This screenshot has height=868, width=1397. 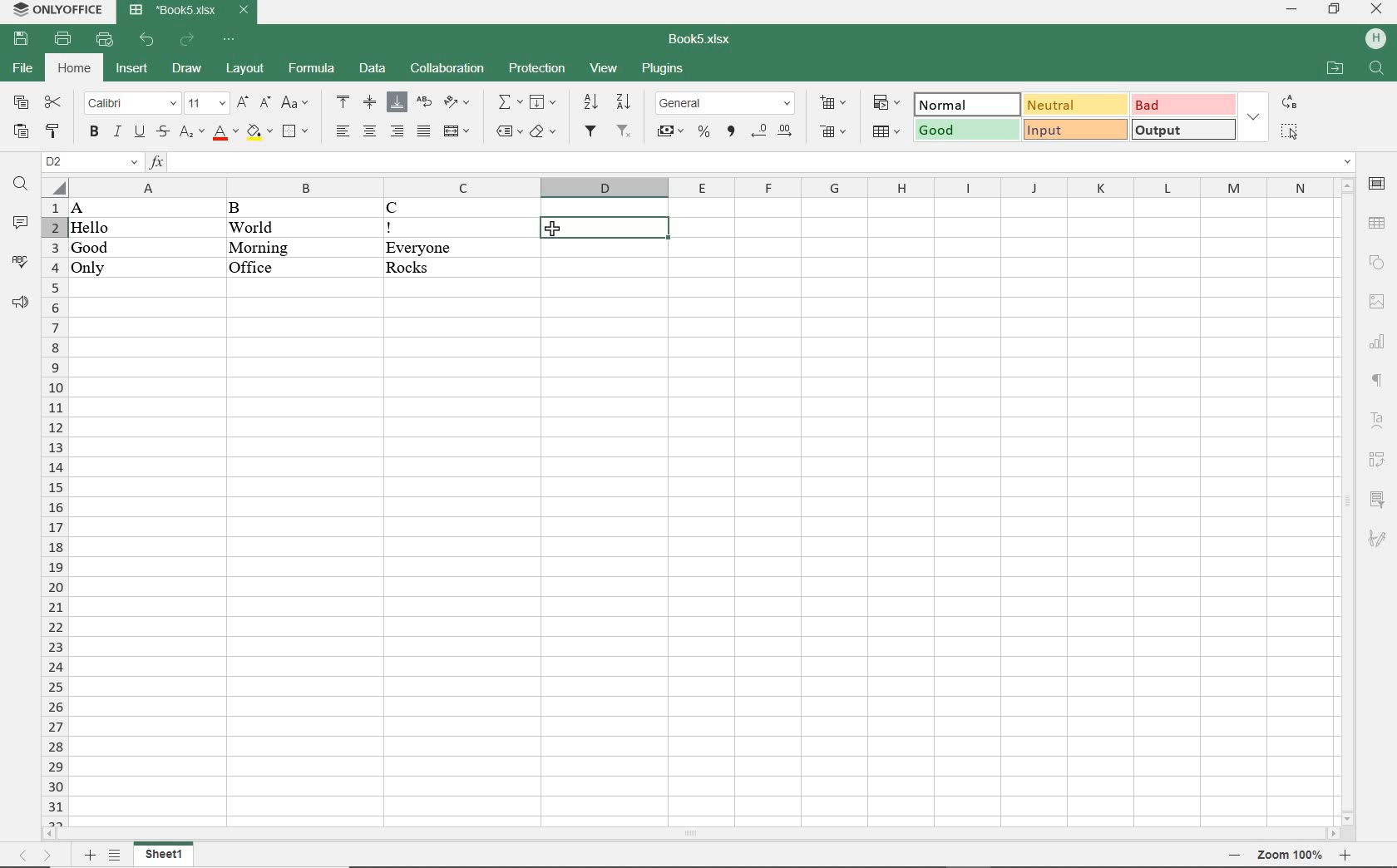 What do you see at coordinates (64, 38) in the screenshot?
I see `print` at bounding box center [64, 38].